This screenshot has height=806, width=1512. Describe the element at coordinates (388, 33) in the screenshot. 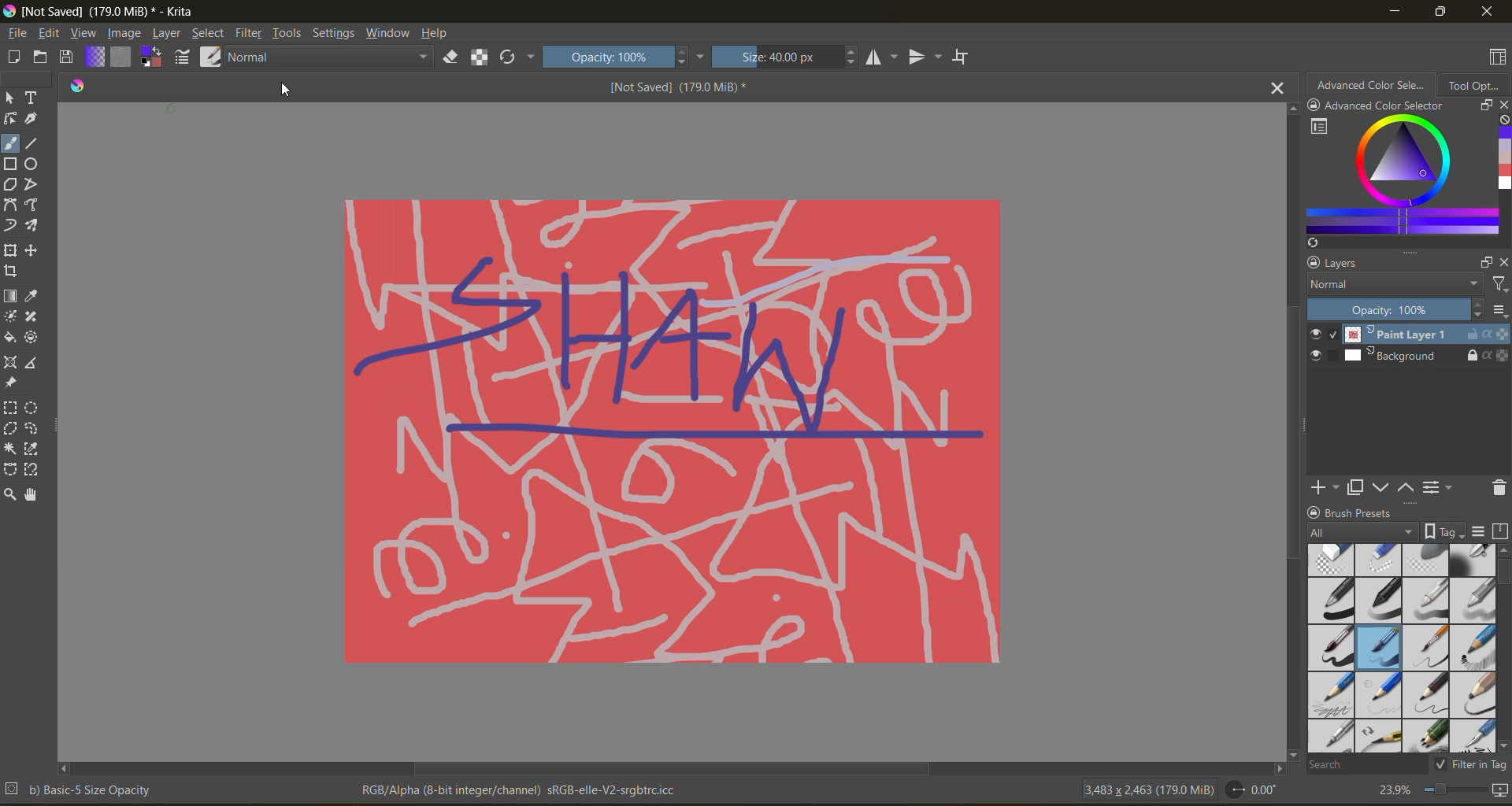

I see `window` at that location.